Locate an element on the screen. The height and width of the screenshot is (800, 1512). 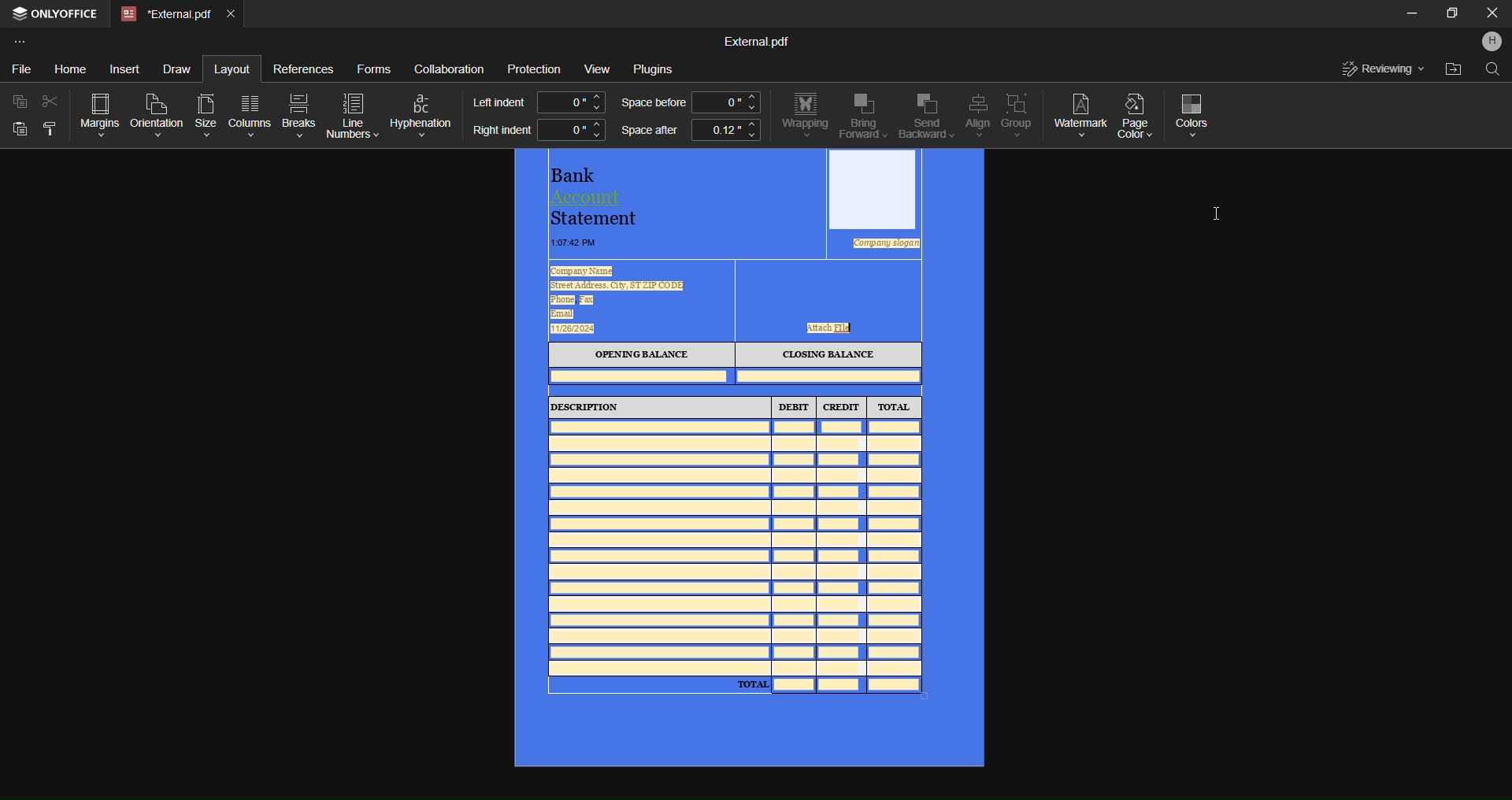
Right Indent is located at coordinates (501, 131).